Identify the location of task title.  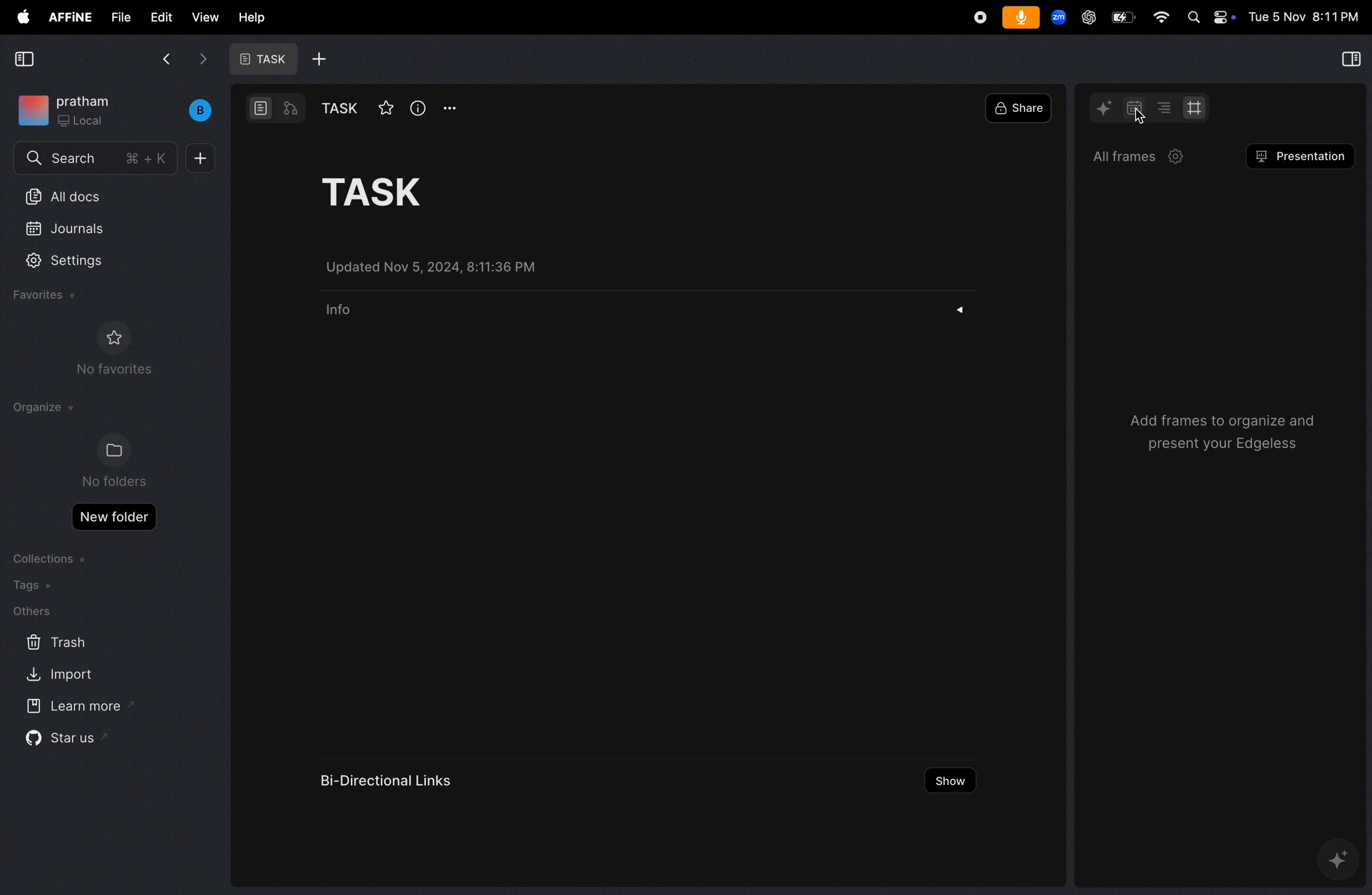
(395, 190).